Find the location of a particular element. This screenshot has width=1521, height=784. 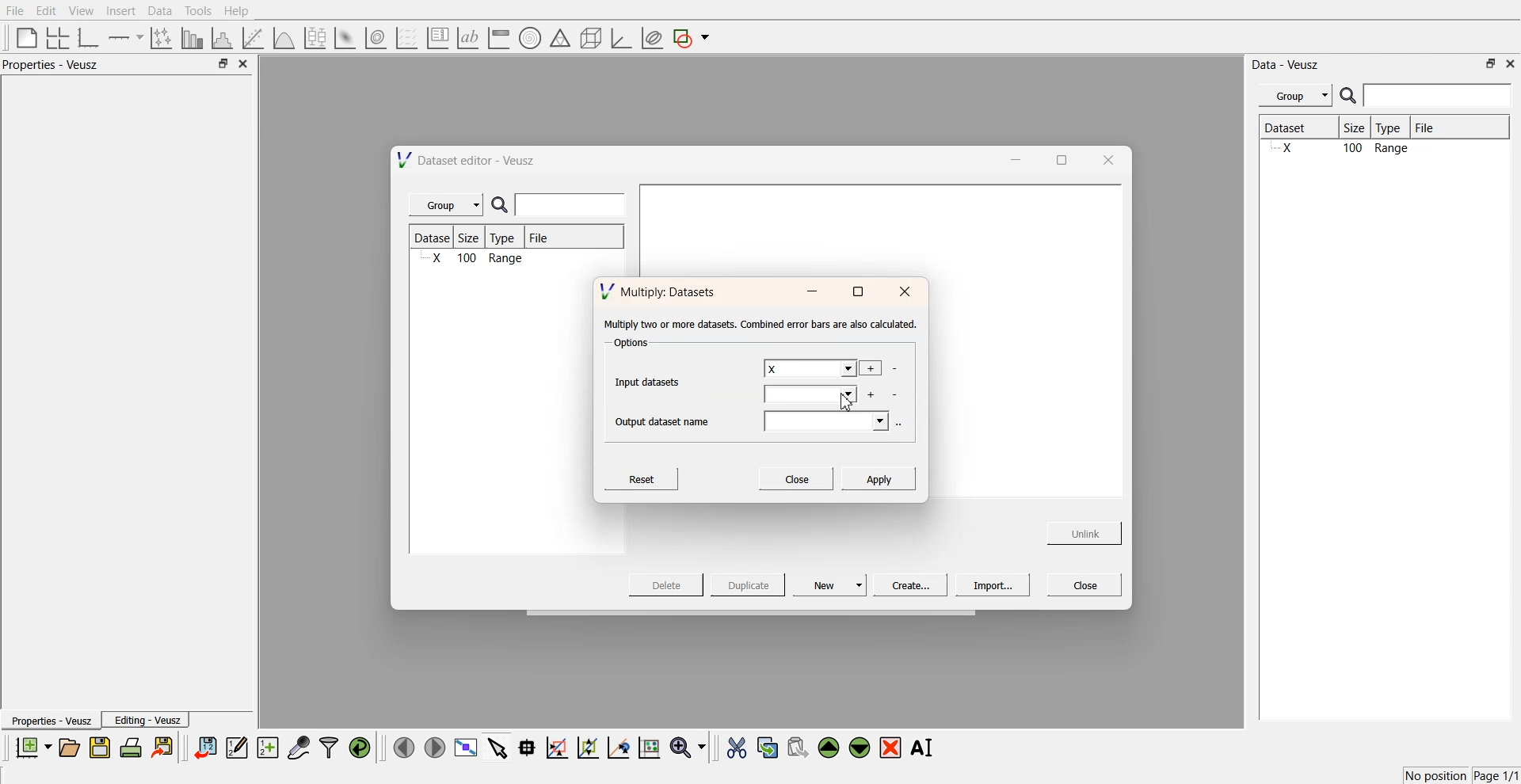

minimise or maximise is located at coordinates (1491, 63).